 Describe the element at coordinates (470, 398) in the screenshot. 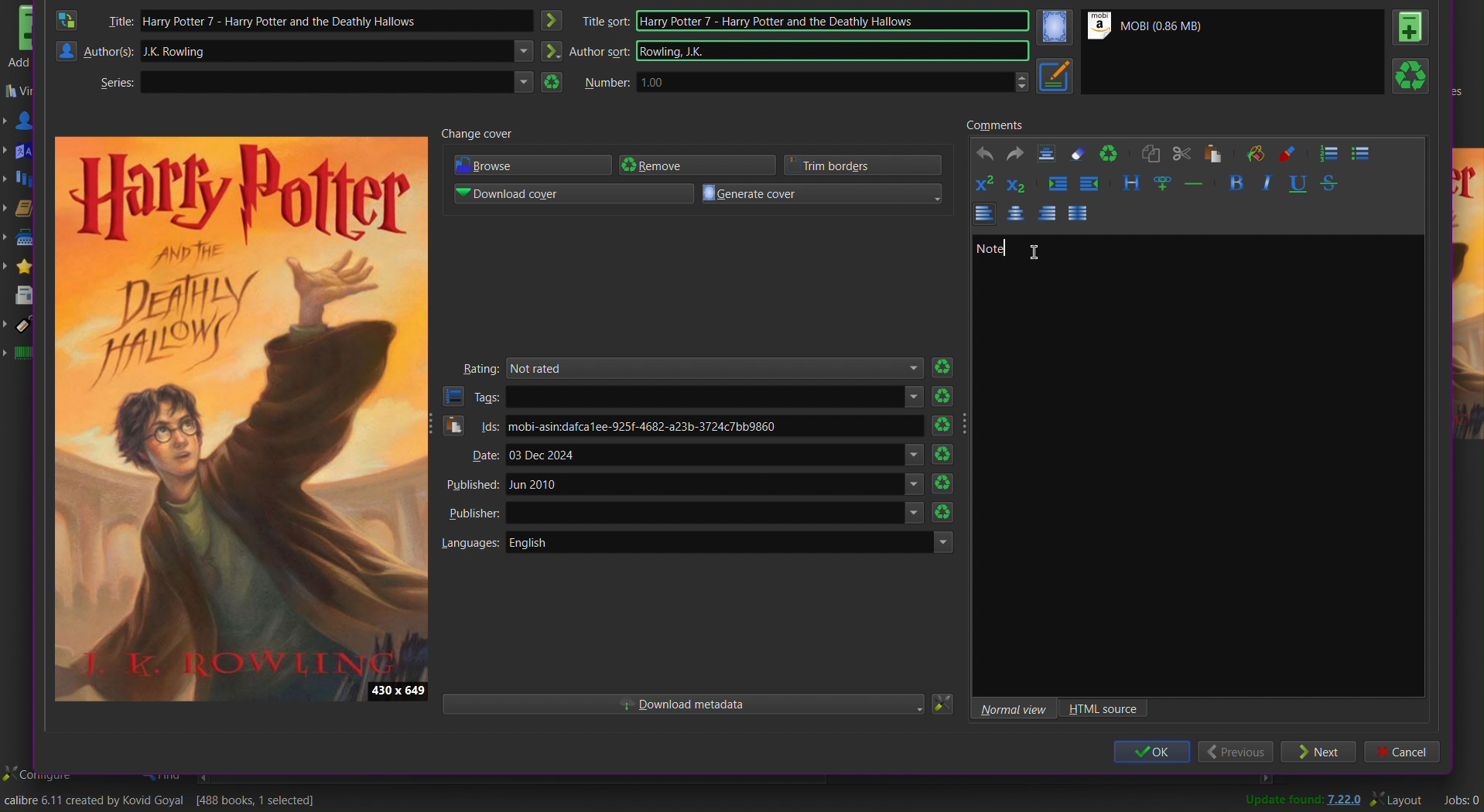

I see `Tags` at that location.